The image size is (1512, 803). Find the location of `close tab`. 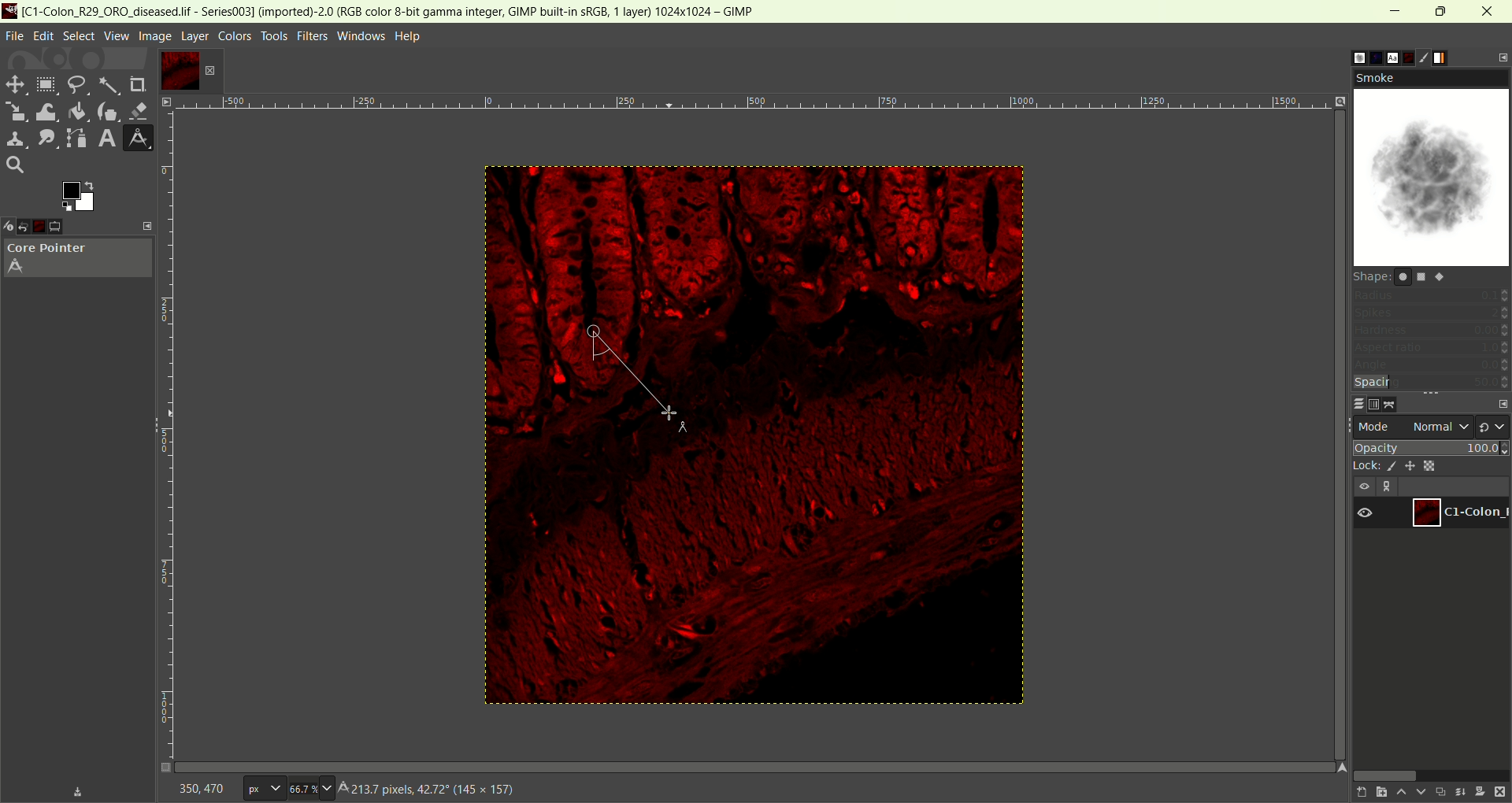

close tab is located at coordinates (209, 71).